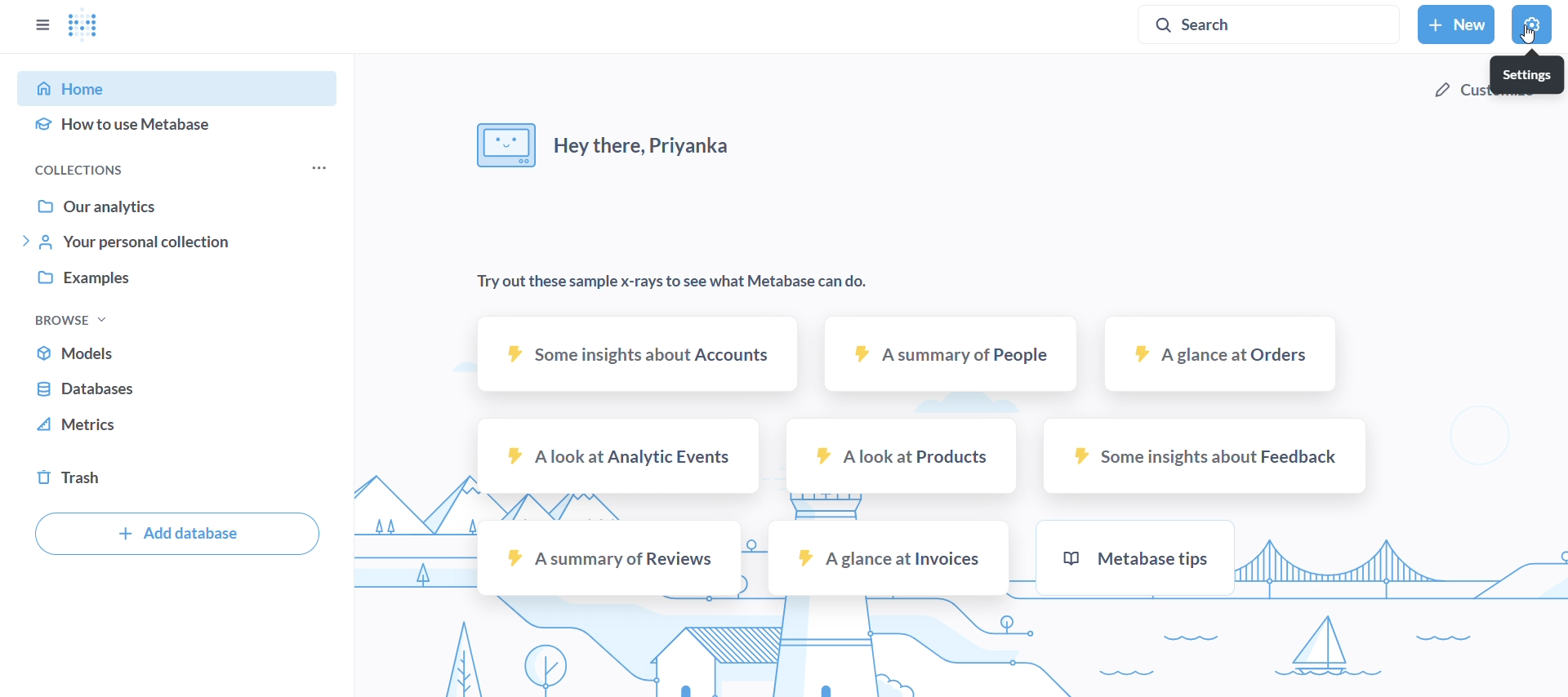 The width and height of the screenshot is (1568, 697). What do you see at coordinates (176, 389) in the screenshot?
I see `databse` at bounding box center [176, 389].